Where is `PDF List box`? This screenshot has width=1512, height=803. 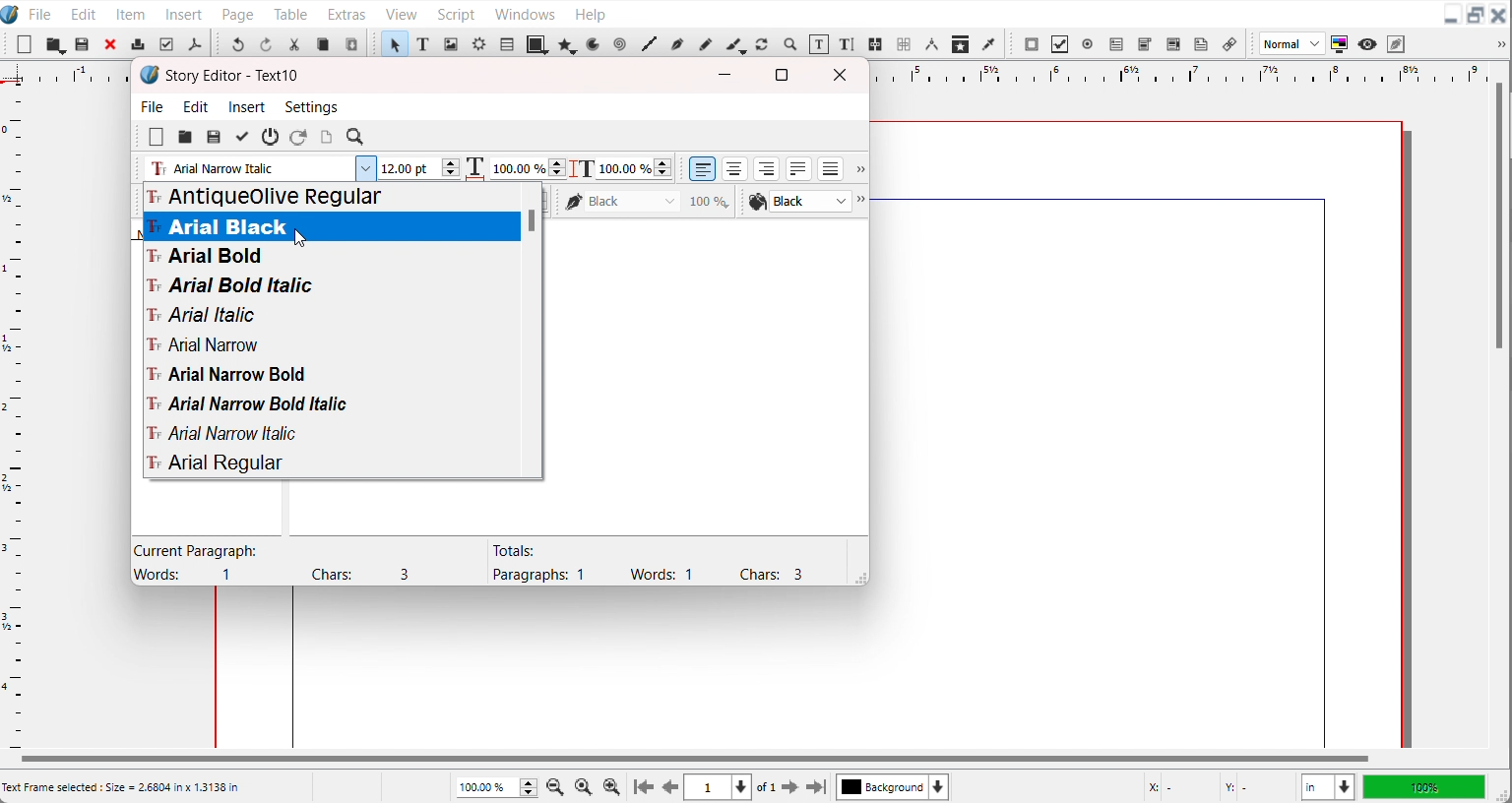 PDF List box is located at coordinates (1174, 44).